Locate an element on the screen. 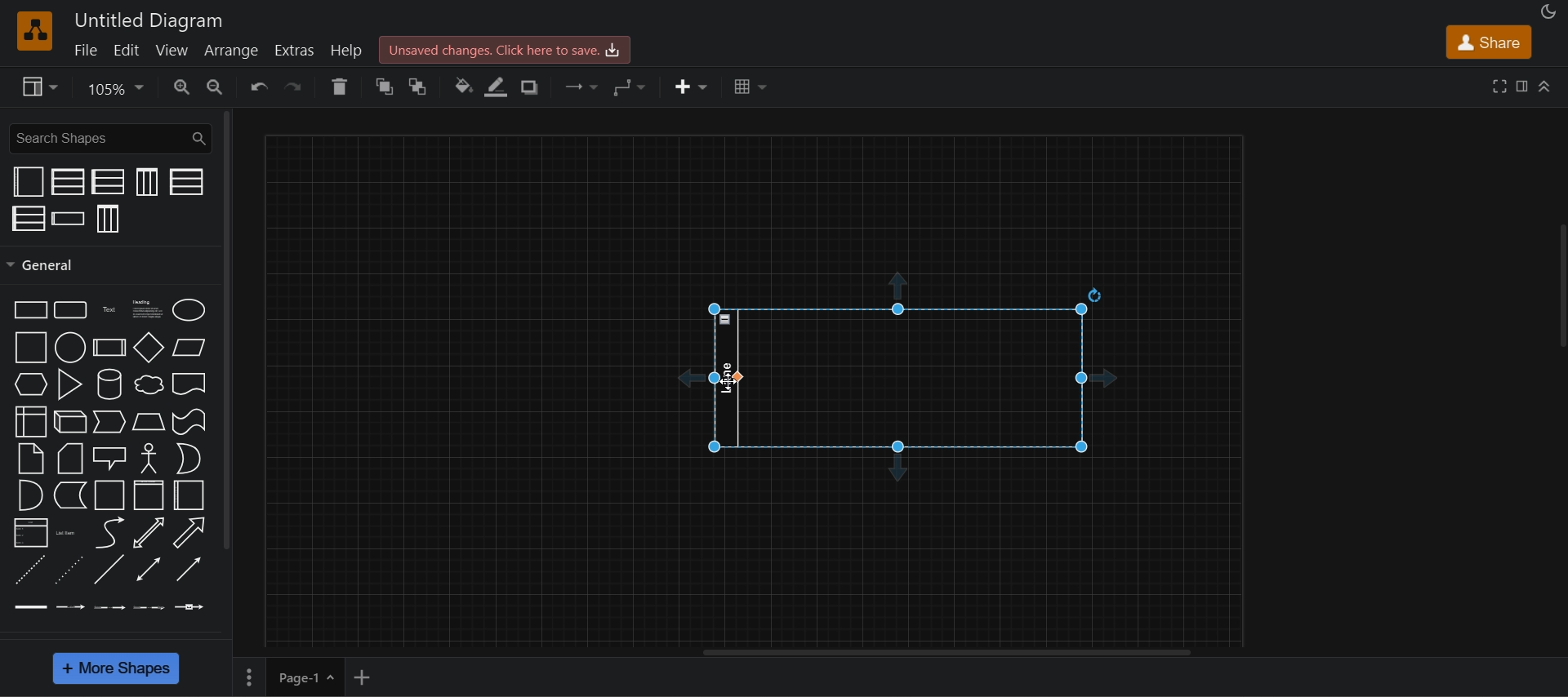 The height and width of the screenshot is (697, 1568). options is located at coordinates (247, 677).